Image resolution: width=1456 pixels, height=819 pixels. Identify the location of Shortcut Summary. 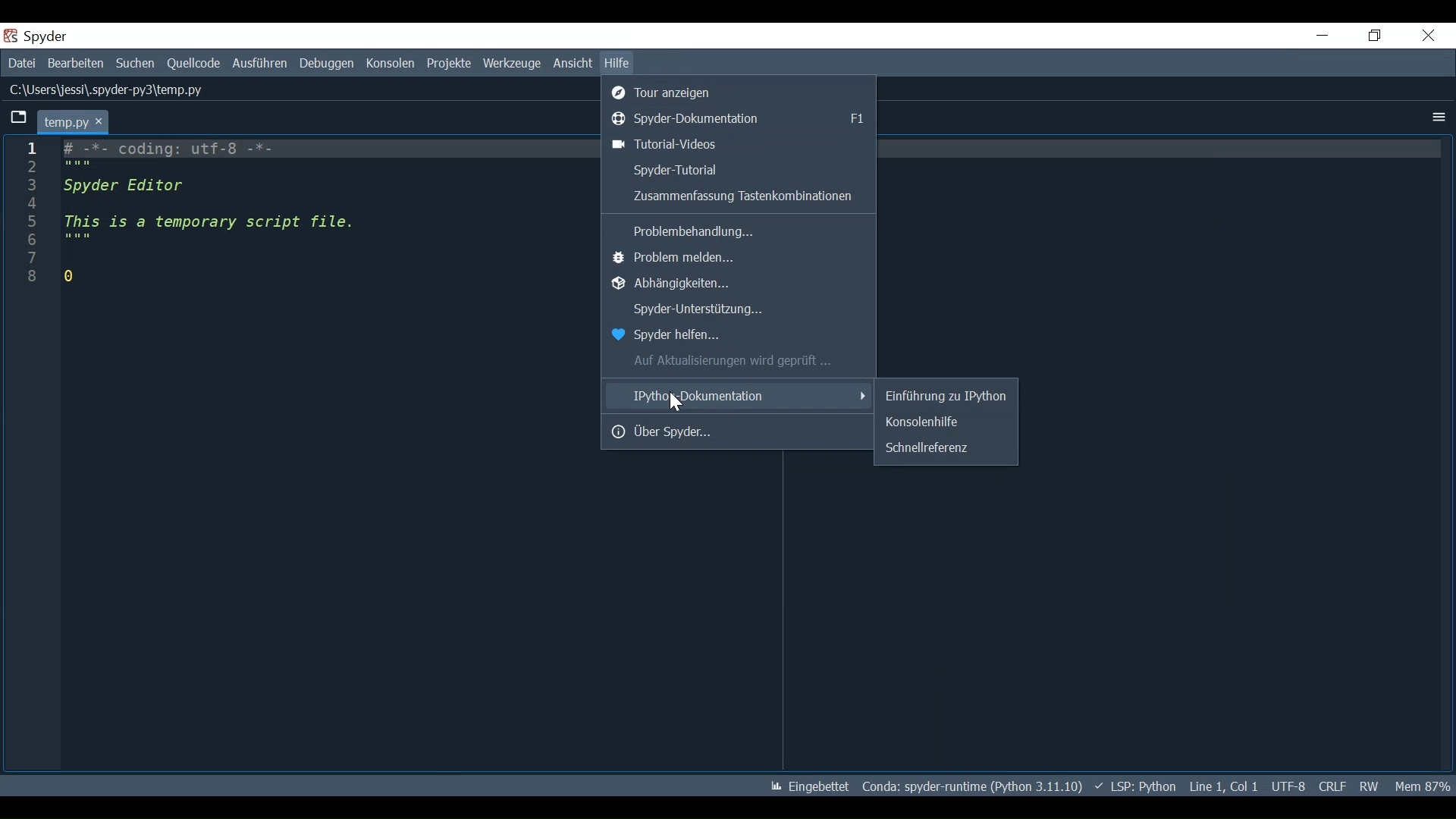
(736, 197).